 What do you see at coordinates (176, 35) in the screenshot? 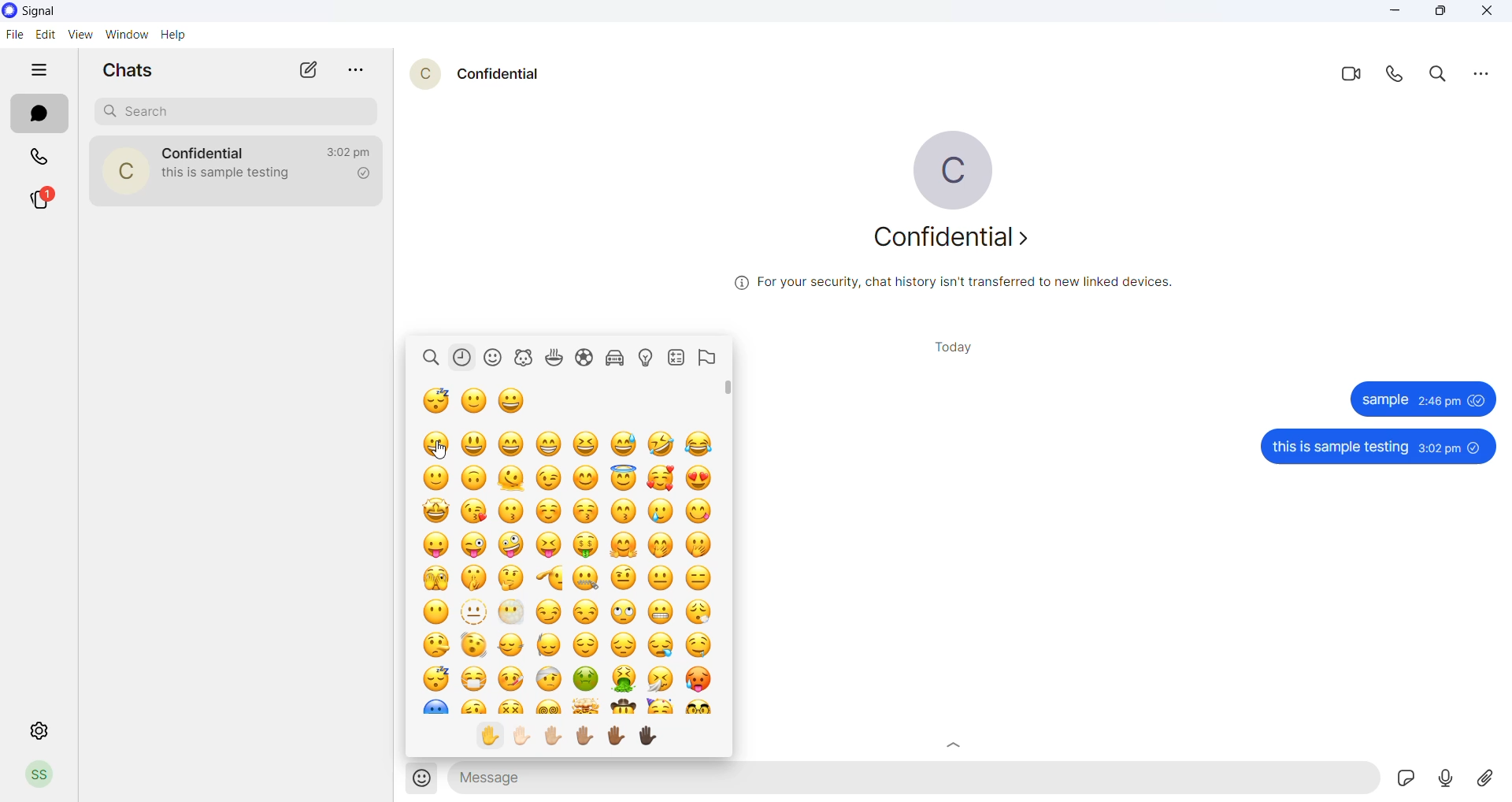
I see `help` at bounding box center [176, 35].